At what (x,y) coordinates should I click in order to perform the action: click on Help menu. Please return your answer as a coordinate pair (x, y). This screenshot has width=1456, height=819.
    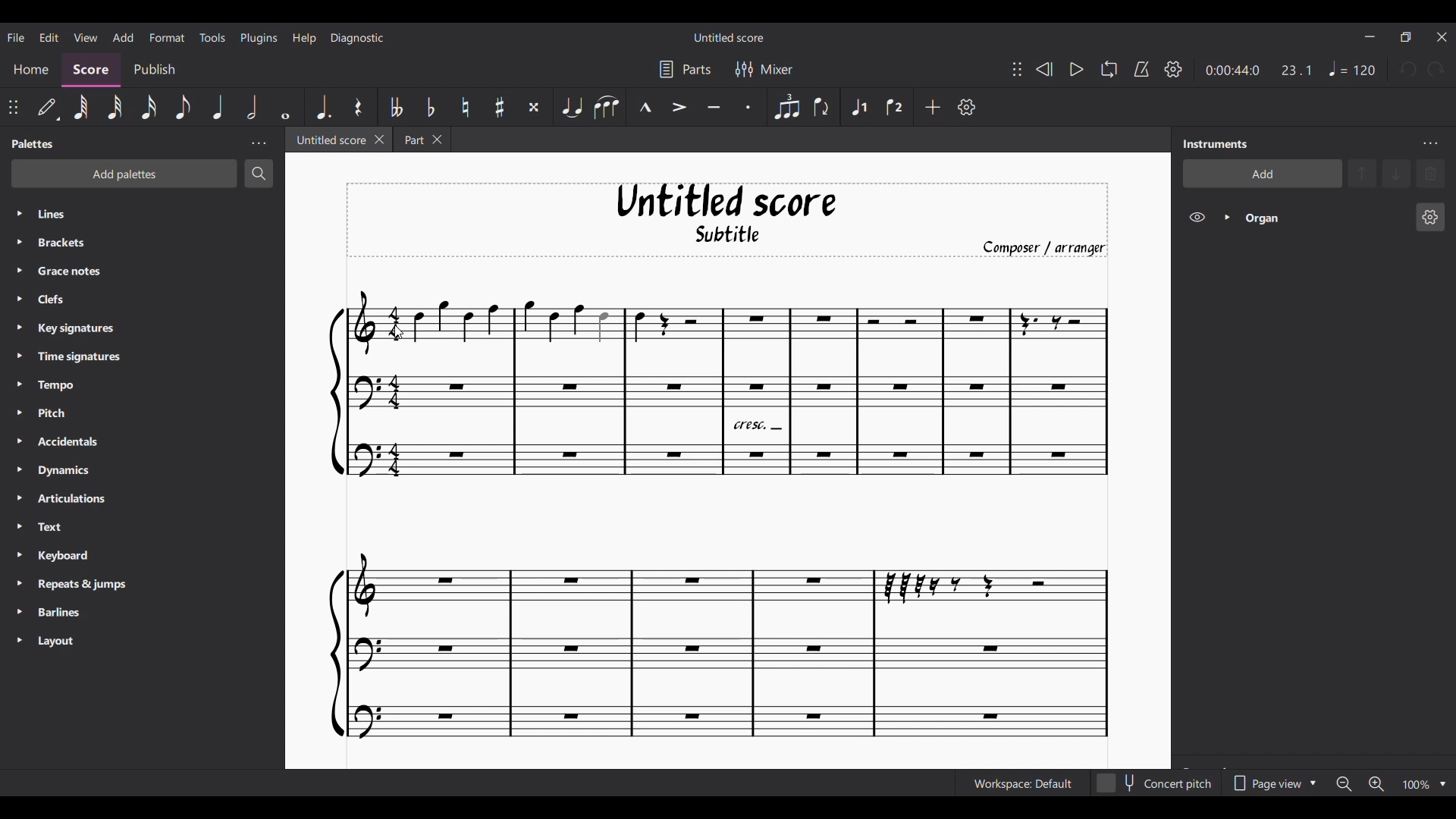
    Looking at the image, I should click on (304, 39).